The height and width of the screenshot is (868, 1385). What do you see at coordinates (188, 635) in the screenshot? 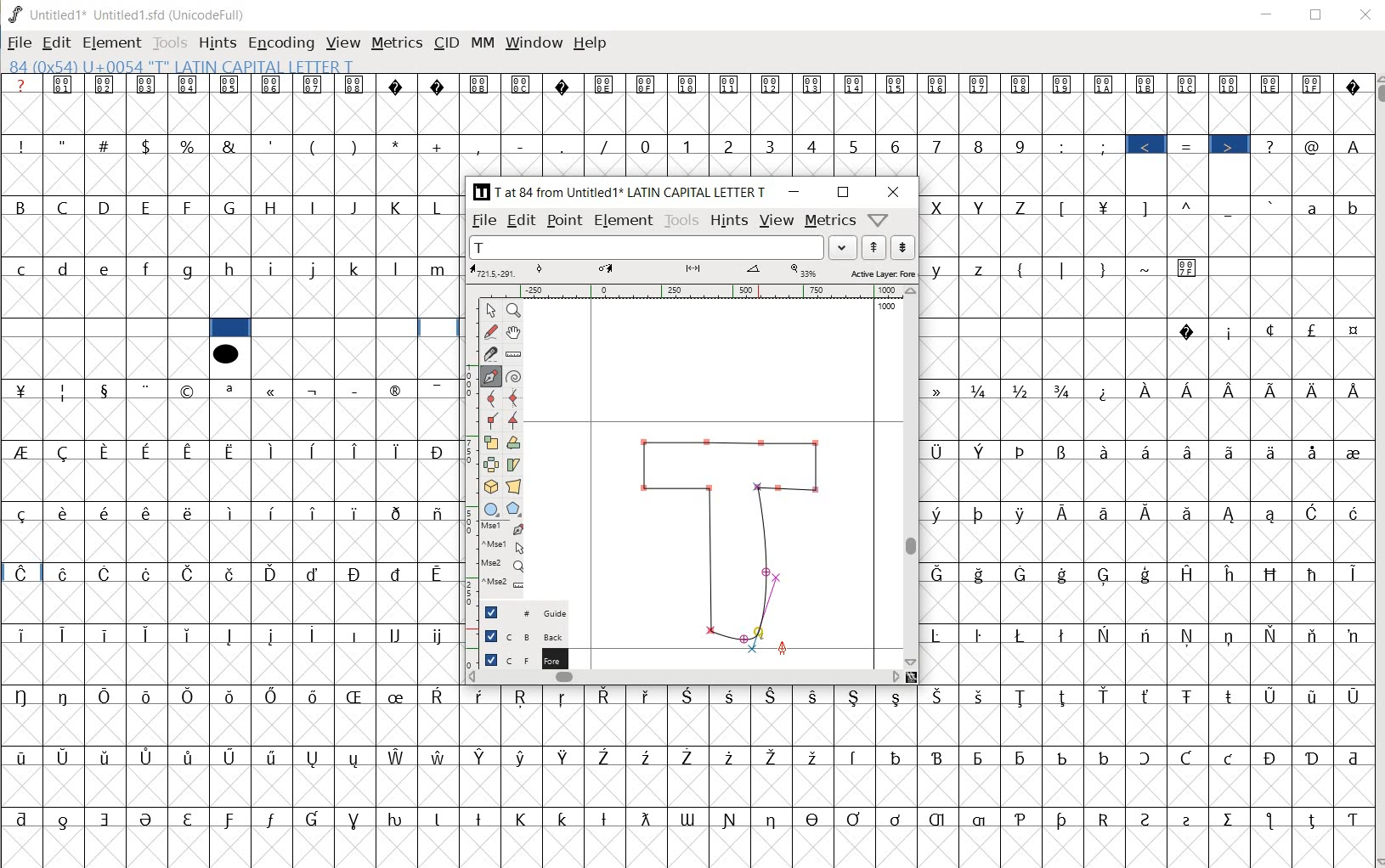
I see `Symbol` at bounding box center [188, 635].